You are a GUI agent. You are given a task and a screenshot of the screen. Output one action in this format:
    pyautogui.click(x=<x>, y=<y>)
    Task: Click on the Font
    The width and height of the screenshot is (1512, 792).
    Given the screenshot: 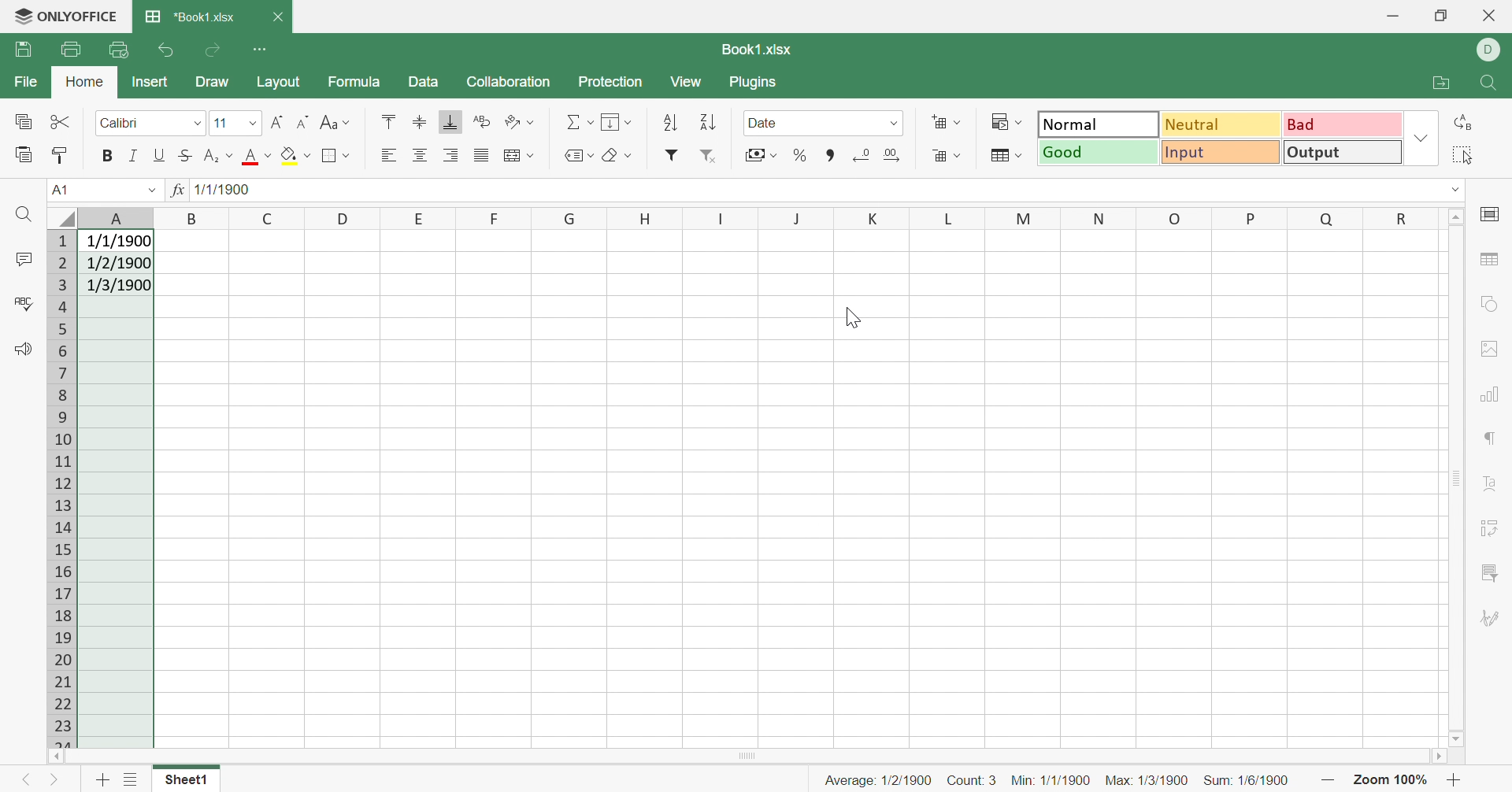 What is the action you would take?
    pyautogui.click(x=152, y=123)
    